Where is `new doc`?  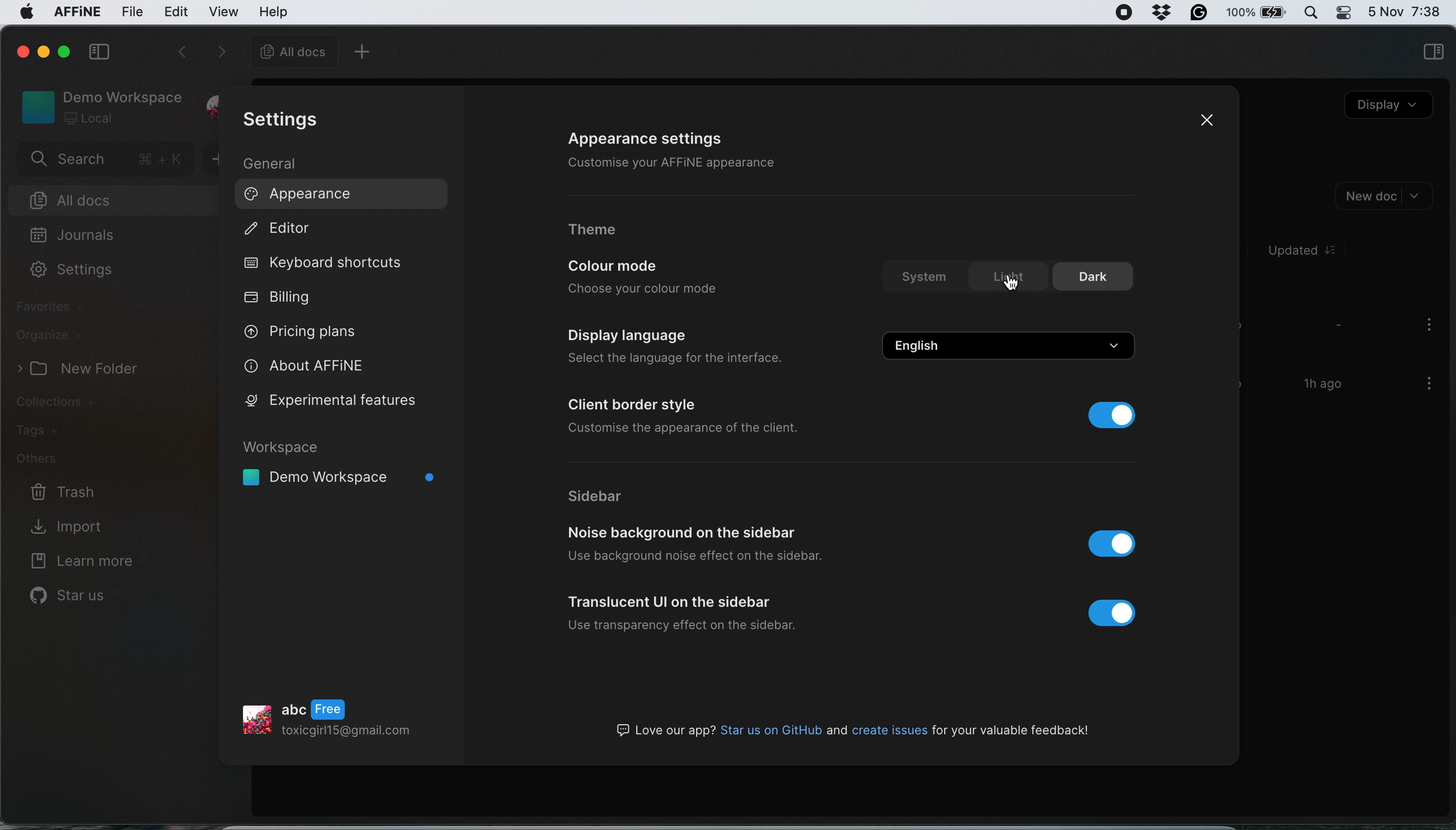 new doc is located at coordinates (1386, 196).